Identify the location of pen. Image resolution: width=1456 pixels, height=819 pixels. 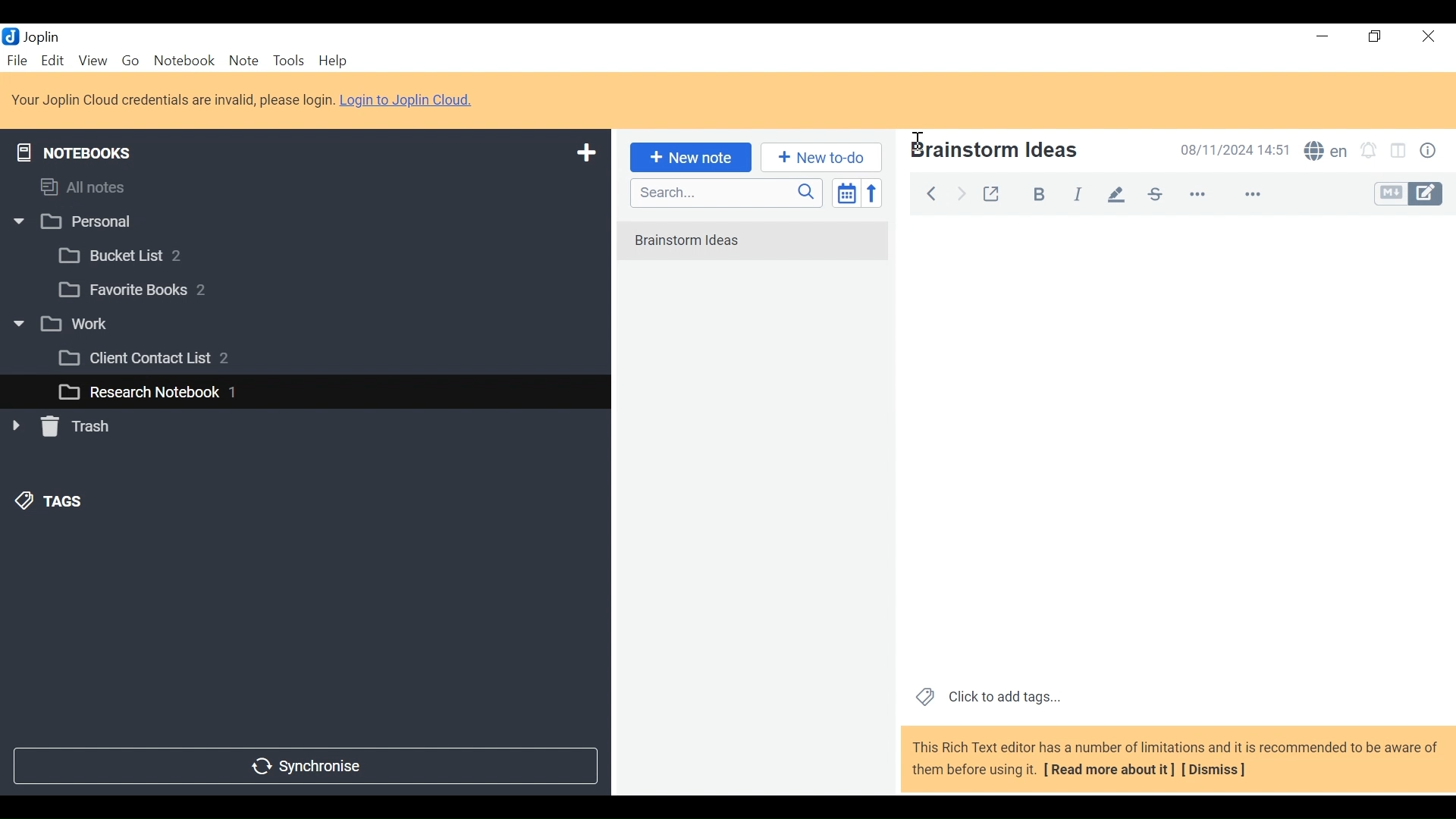
(1116, 193).